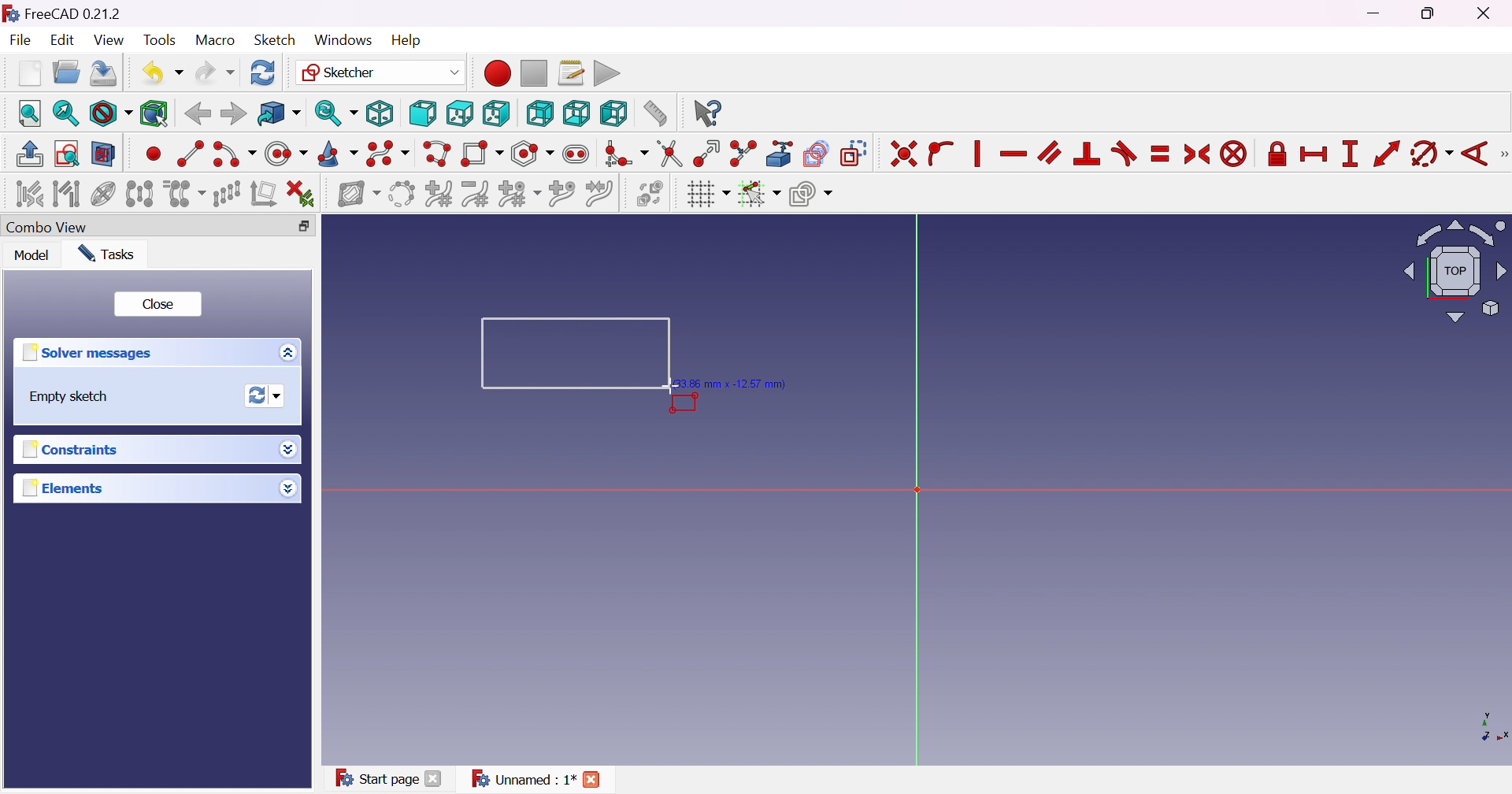 The height and width of the screenshot is (794, 1512). What do you see at coordinates (1484, 725) in the screenshot?
I see `x, y axis plane` at bounding box center [1484, 725].